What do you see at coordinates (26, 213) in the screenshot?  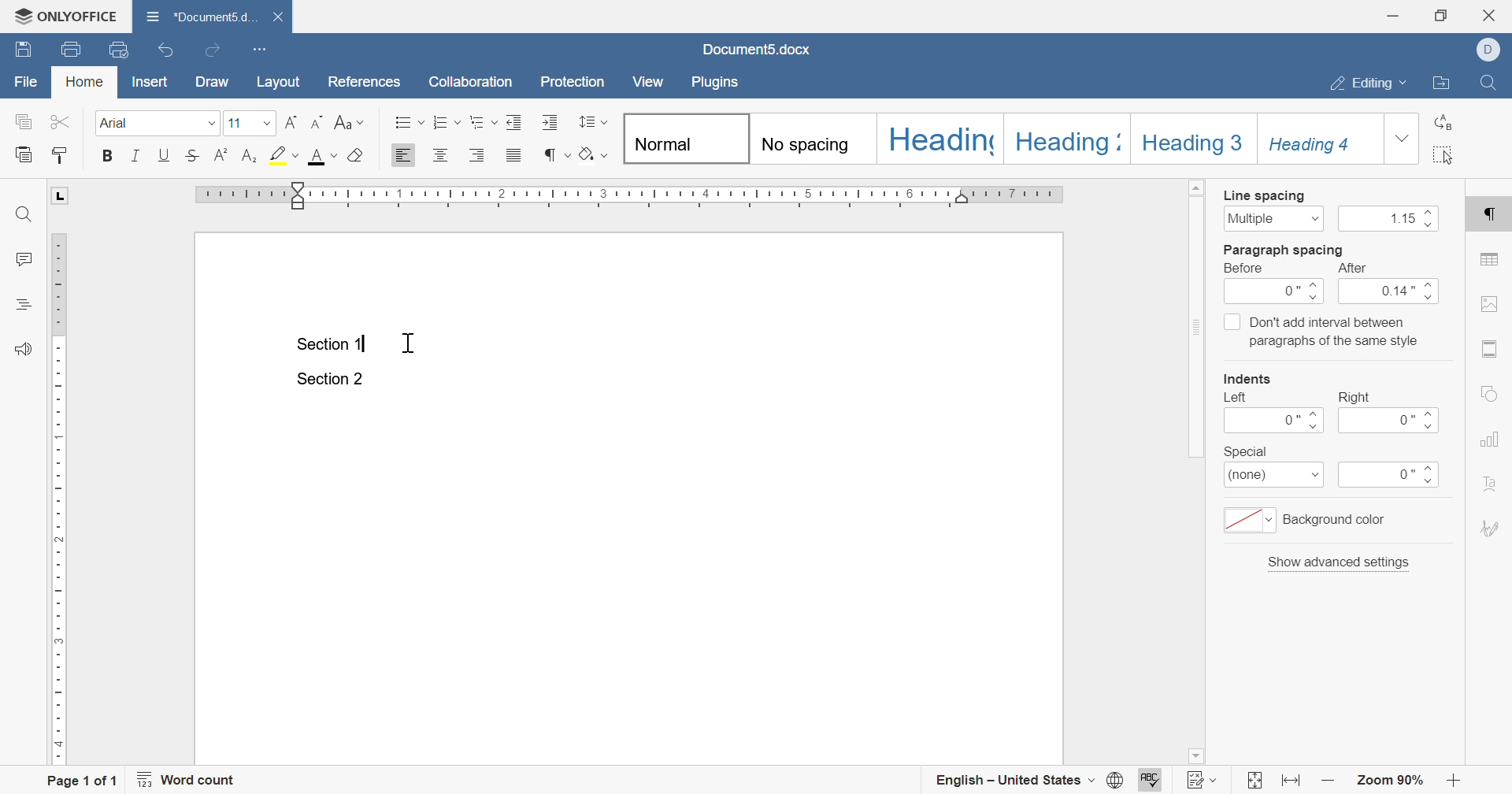 I see `find` at bounding box center [26, 213].